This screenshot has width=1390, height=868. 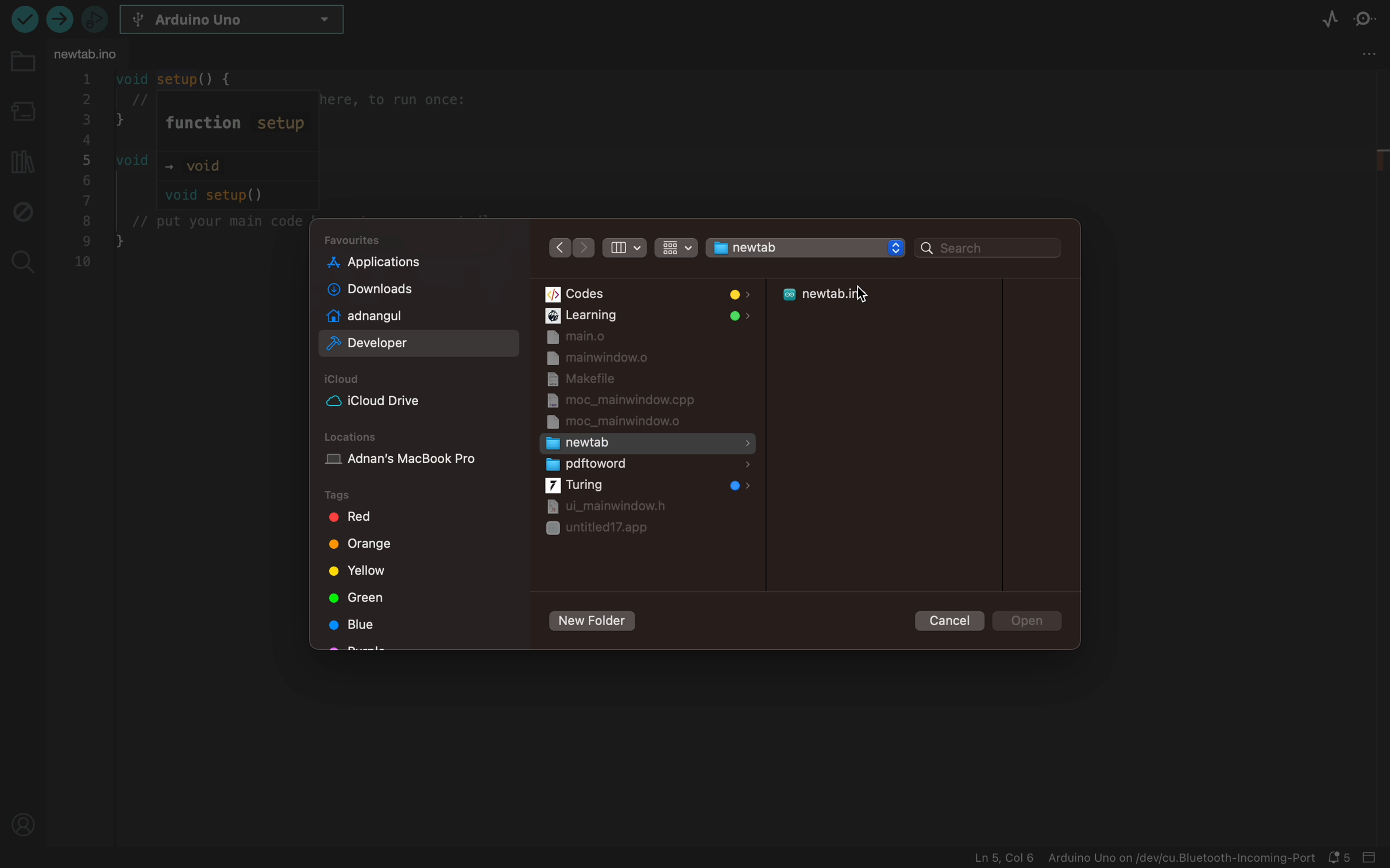 I want to click on icloud drive, so click(x=395, y=401).